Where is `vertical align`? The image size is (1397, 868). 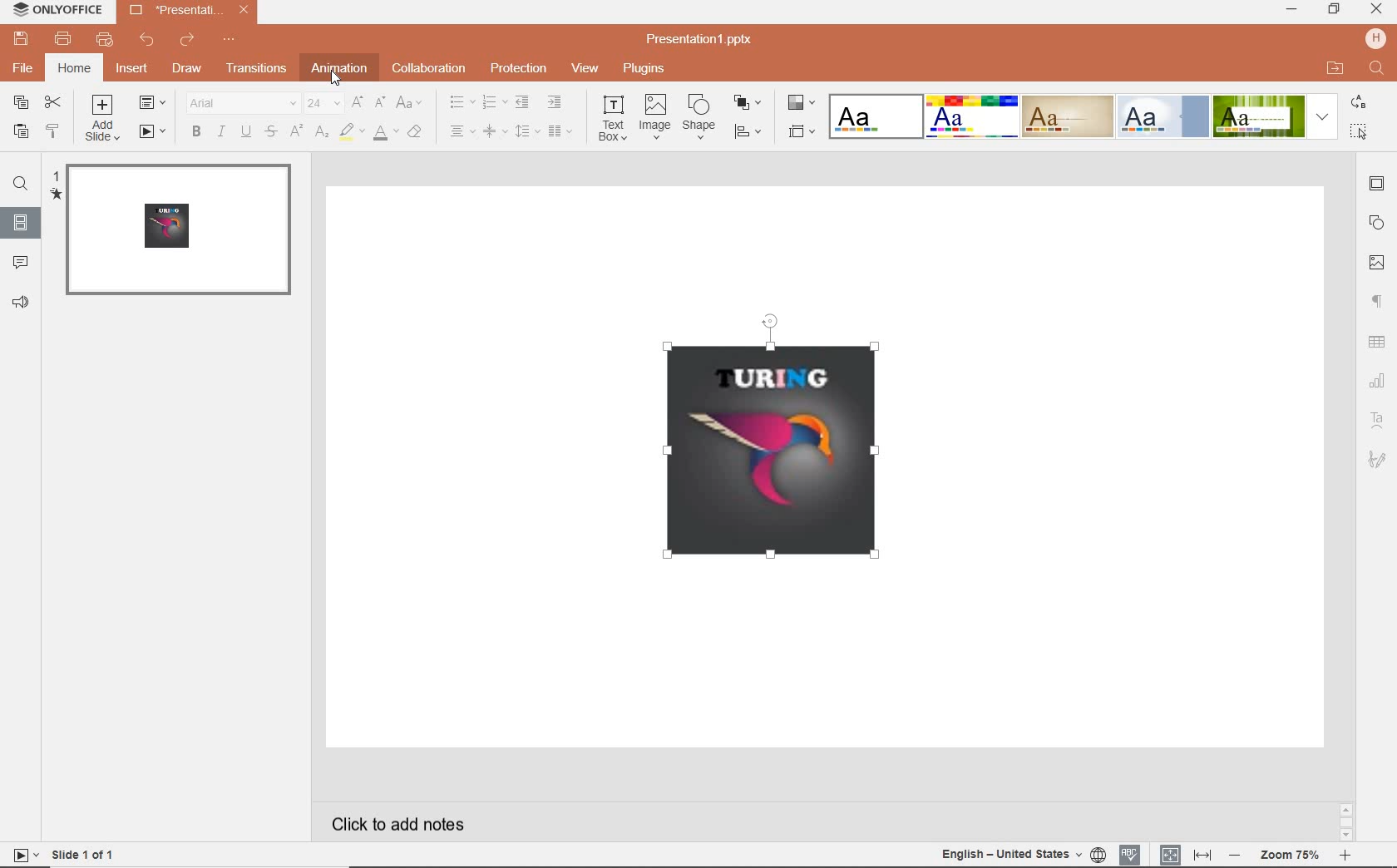 vertical align is located at coordinates (491, 131).